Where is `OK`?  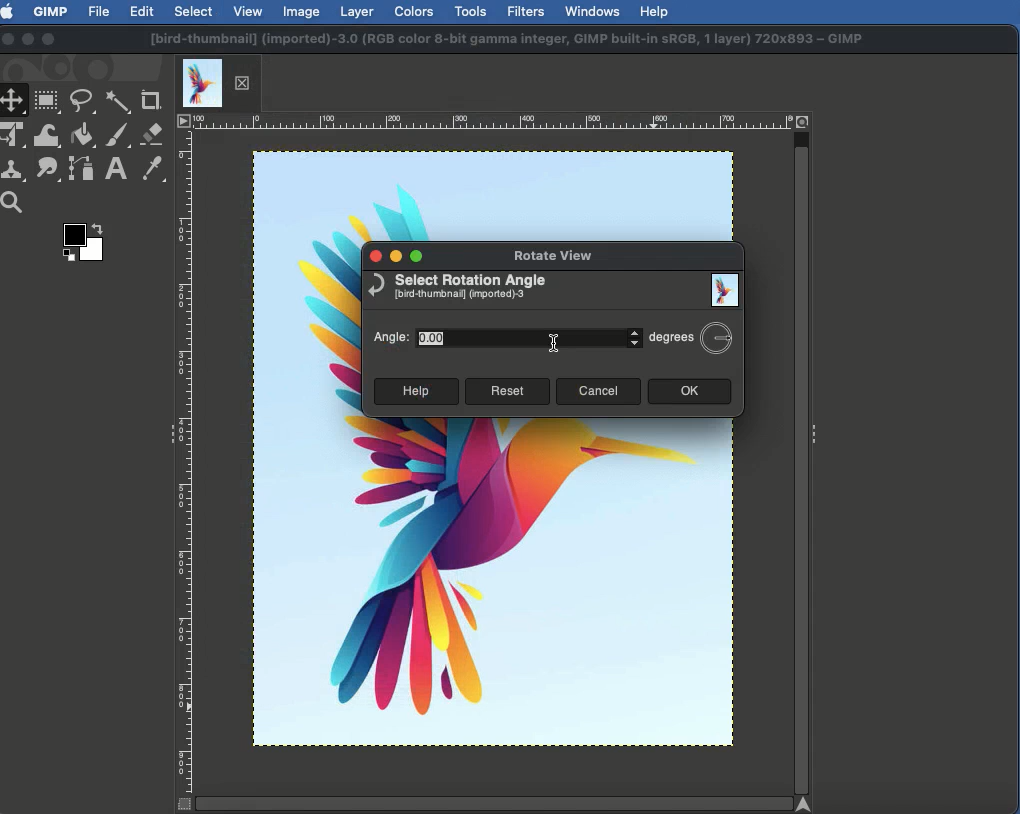 OK is located at coordinates (688, 392).